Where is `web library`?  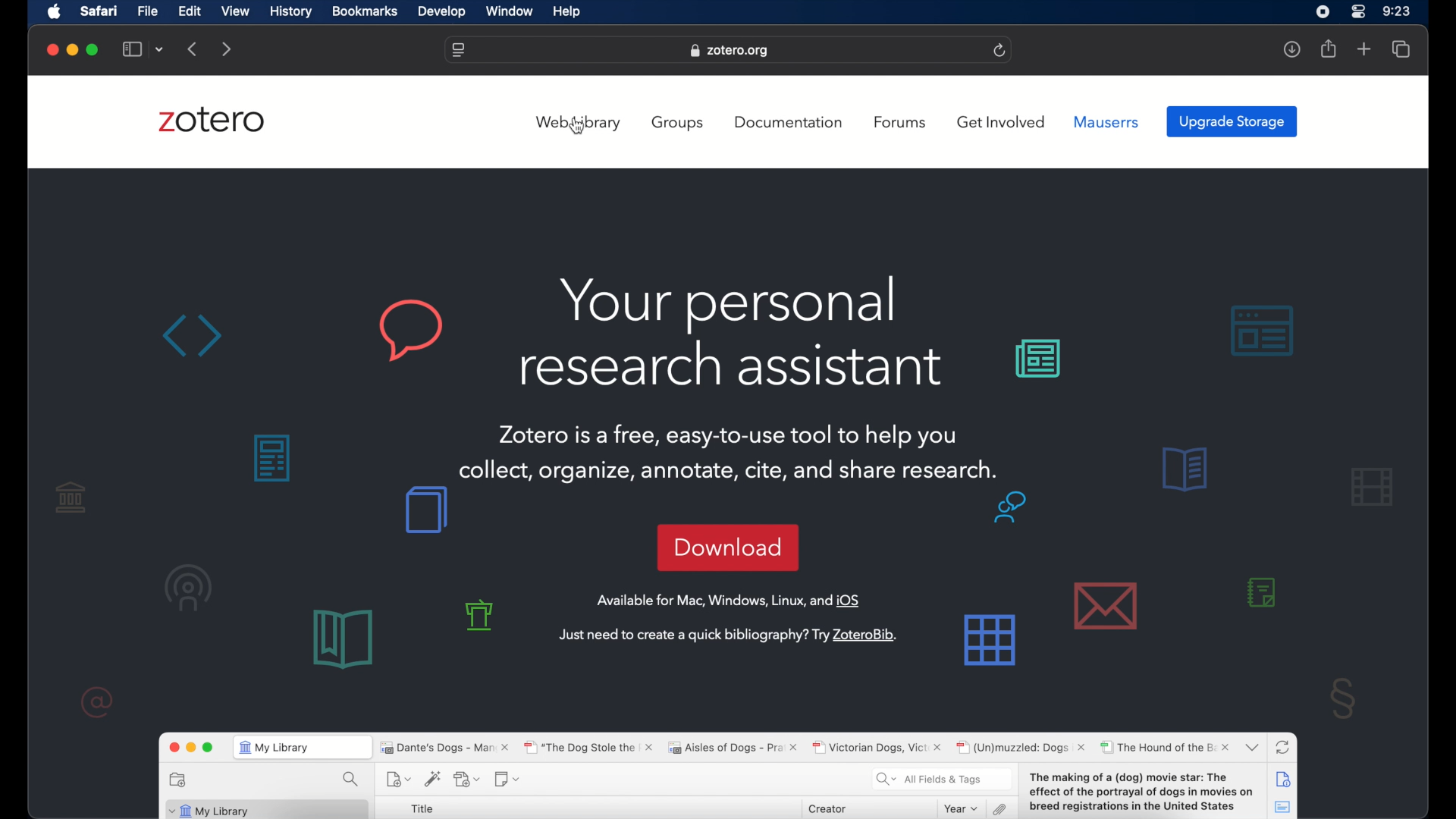
web library is located at coordinates (579, 123).